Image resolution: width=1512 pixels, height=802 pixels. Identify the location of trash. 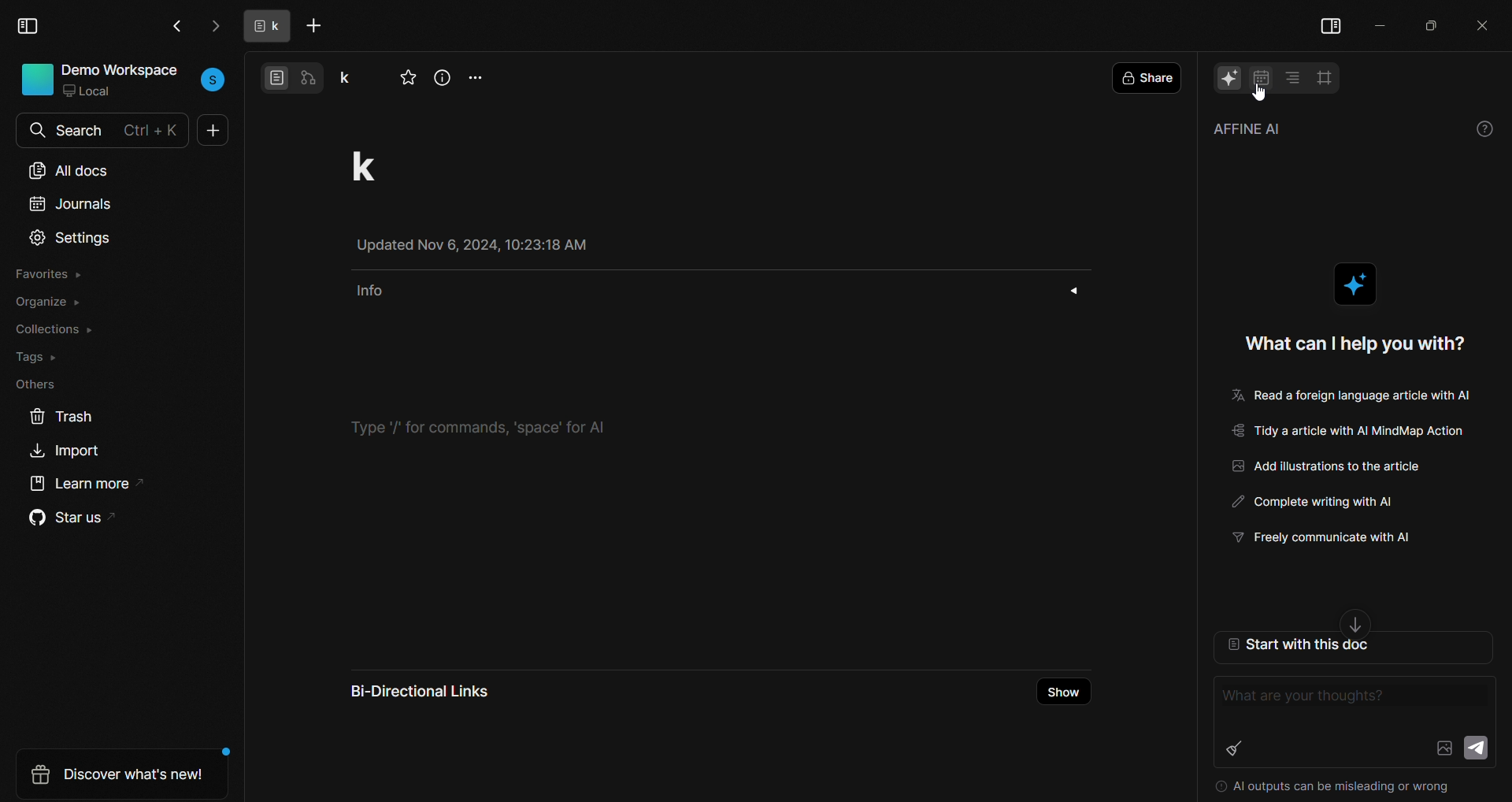
(60, 414).